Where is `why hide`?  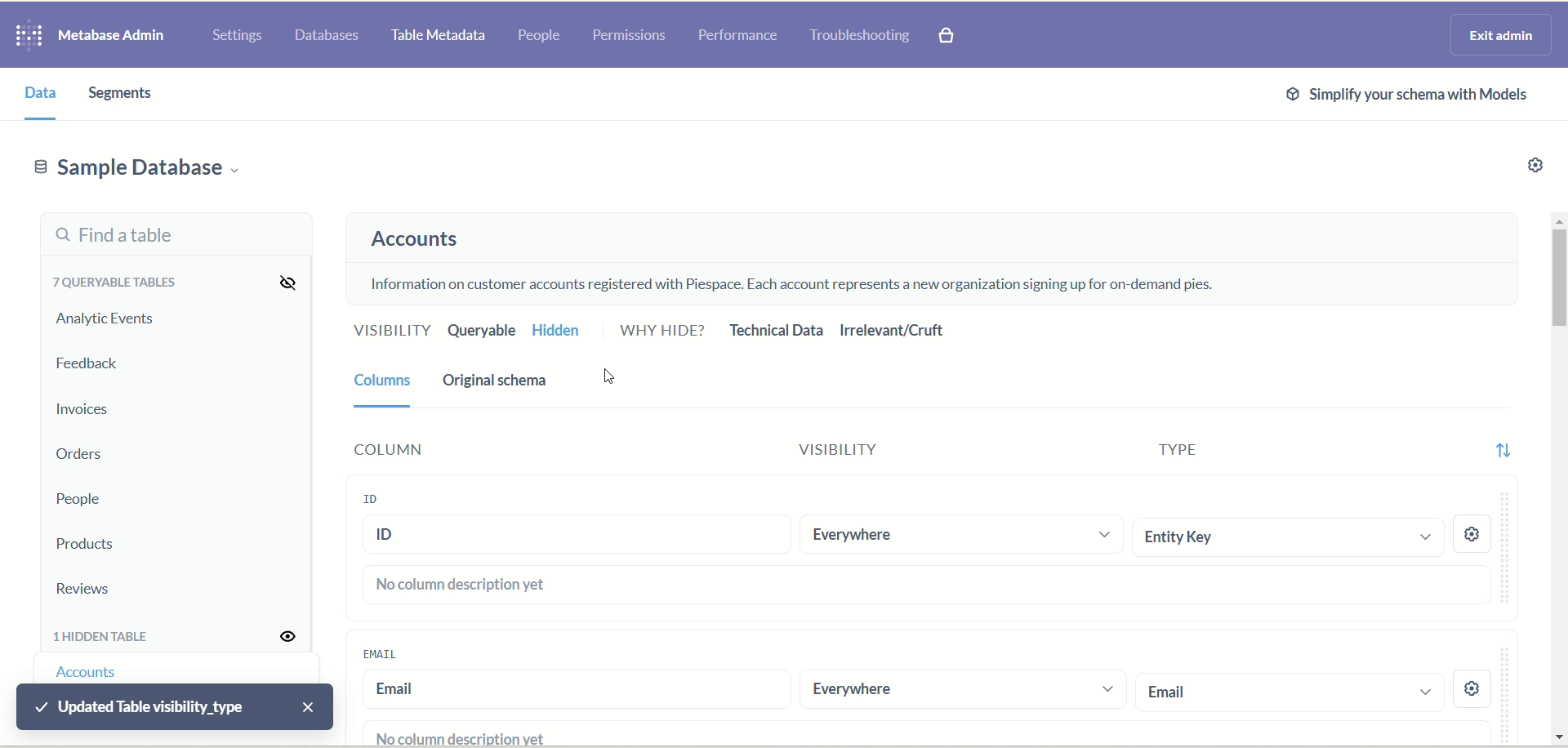
why hide is located at coordinates (664, 333).